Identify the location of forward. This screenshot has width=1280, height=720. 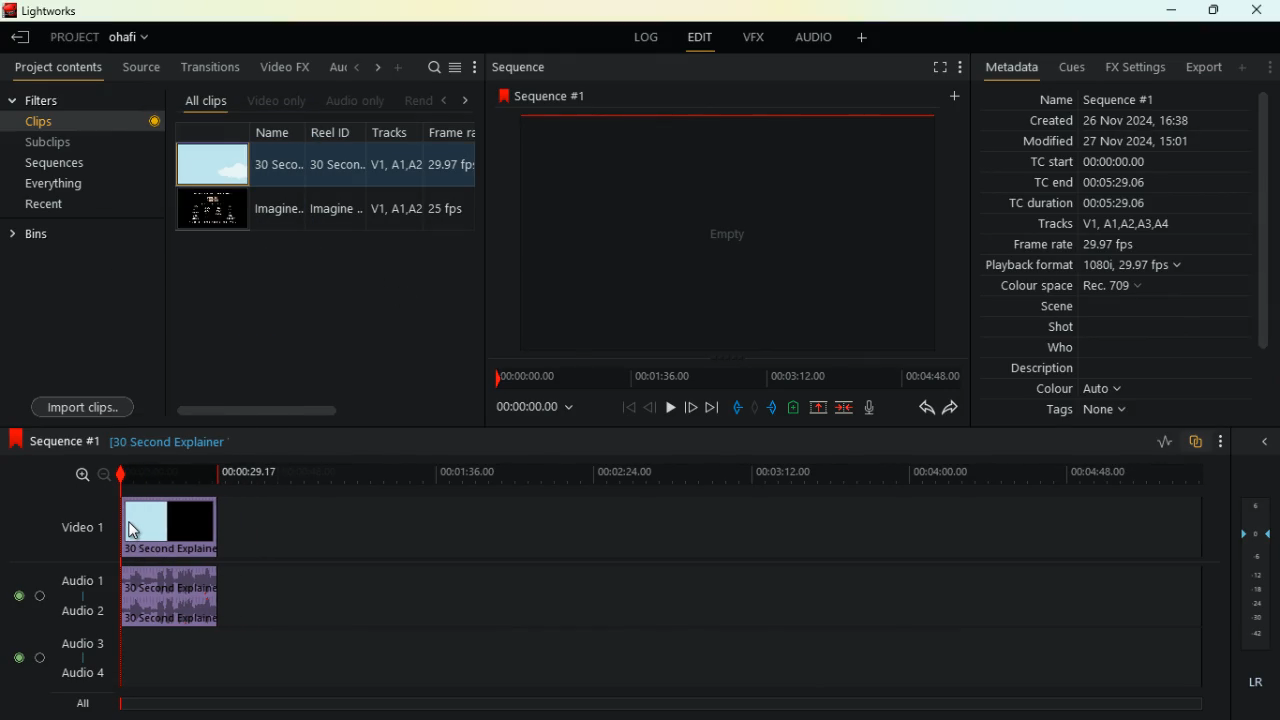
(951, 410).